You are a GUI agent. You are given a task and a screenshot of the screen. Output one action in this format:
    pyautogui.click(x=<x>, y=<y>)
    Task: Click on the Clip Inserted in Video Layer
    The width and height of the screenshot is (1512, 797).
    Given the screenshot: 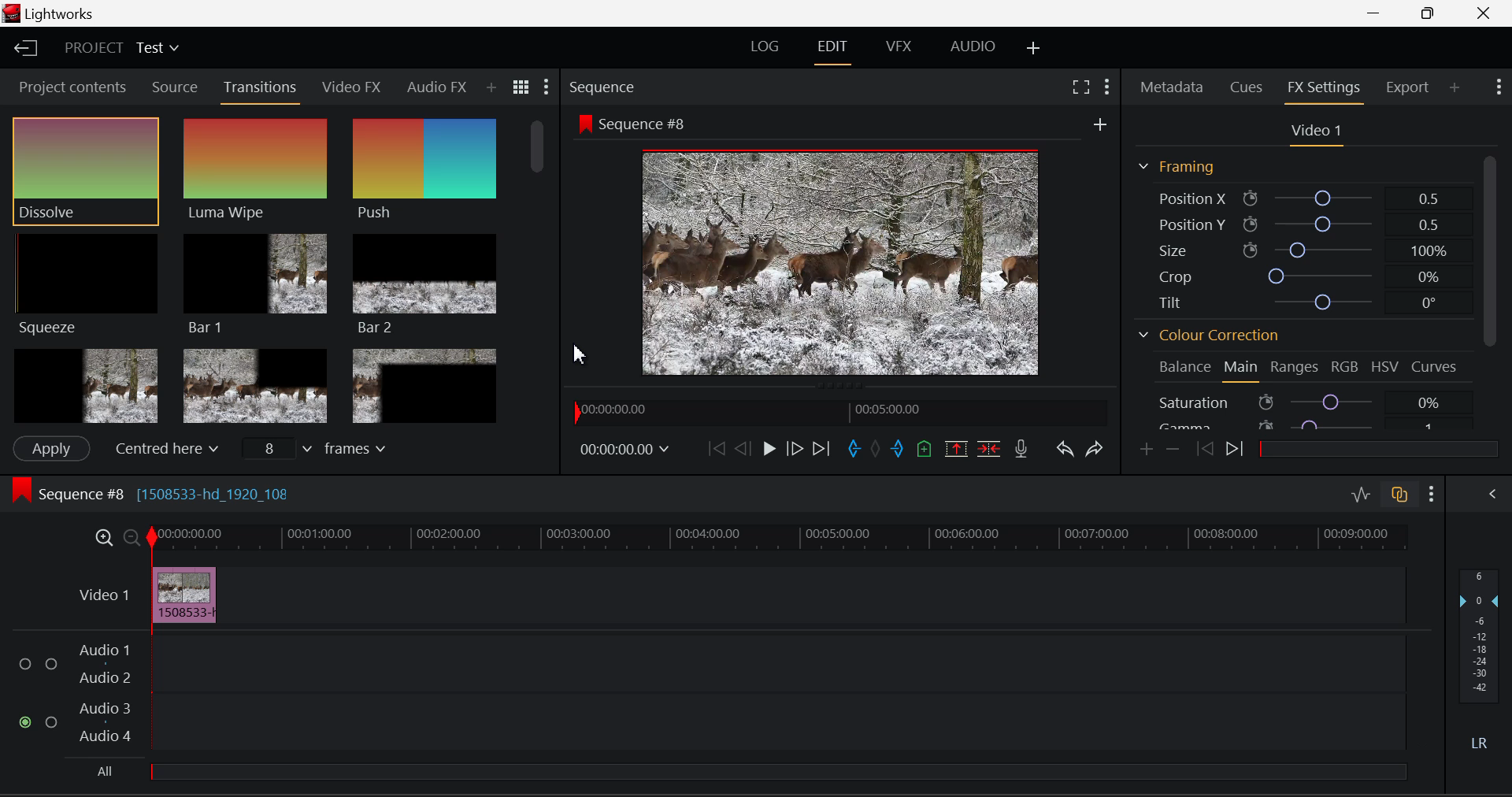 What is the action you would take?
    pyautogui.click(x=738, y=594)
    